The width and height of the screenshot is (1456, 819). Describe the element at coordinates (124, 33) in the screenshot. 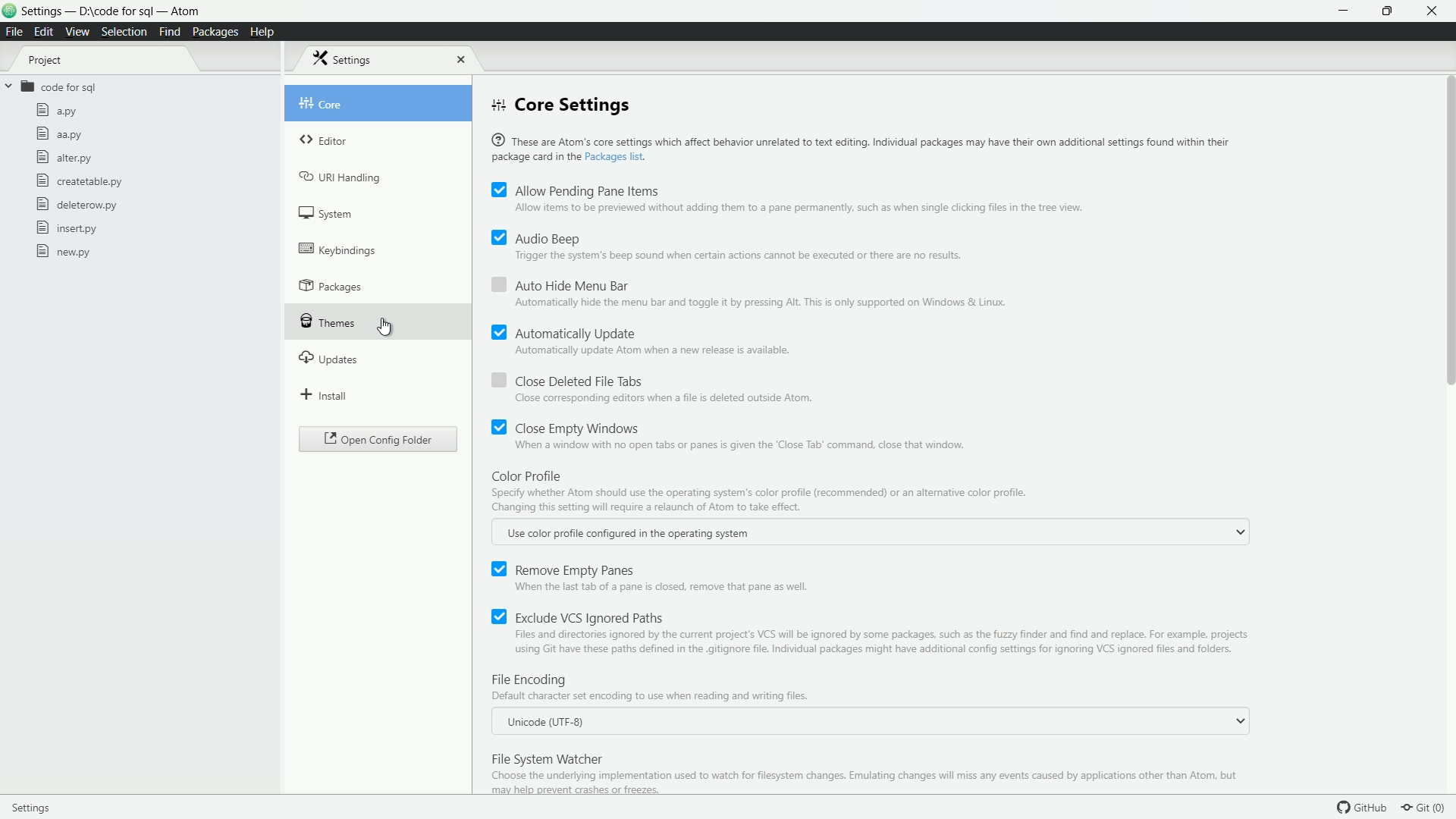

I see `selection menu` at that location.